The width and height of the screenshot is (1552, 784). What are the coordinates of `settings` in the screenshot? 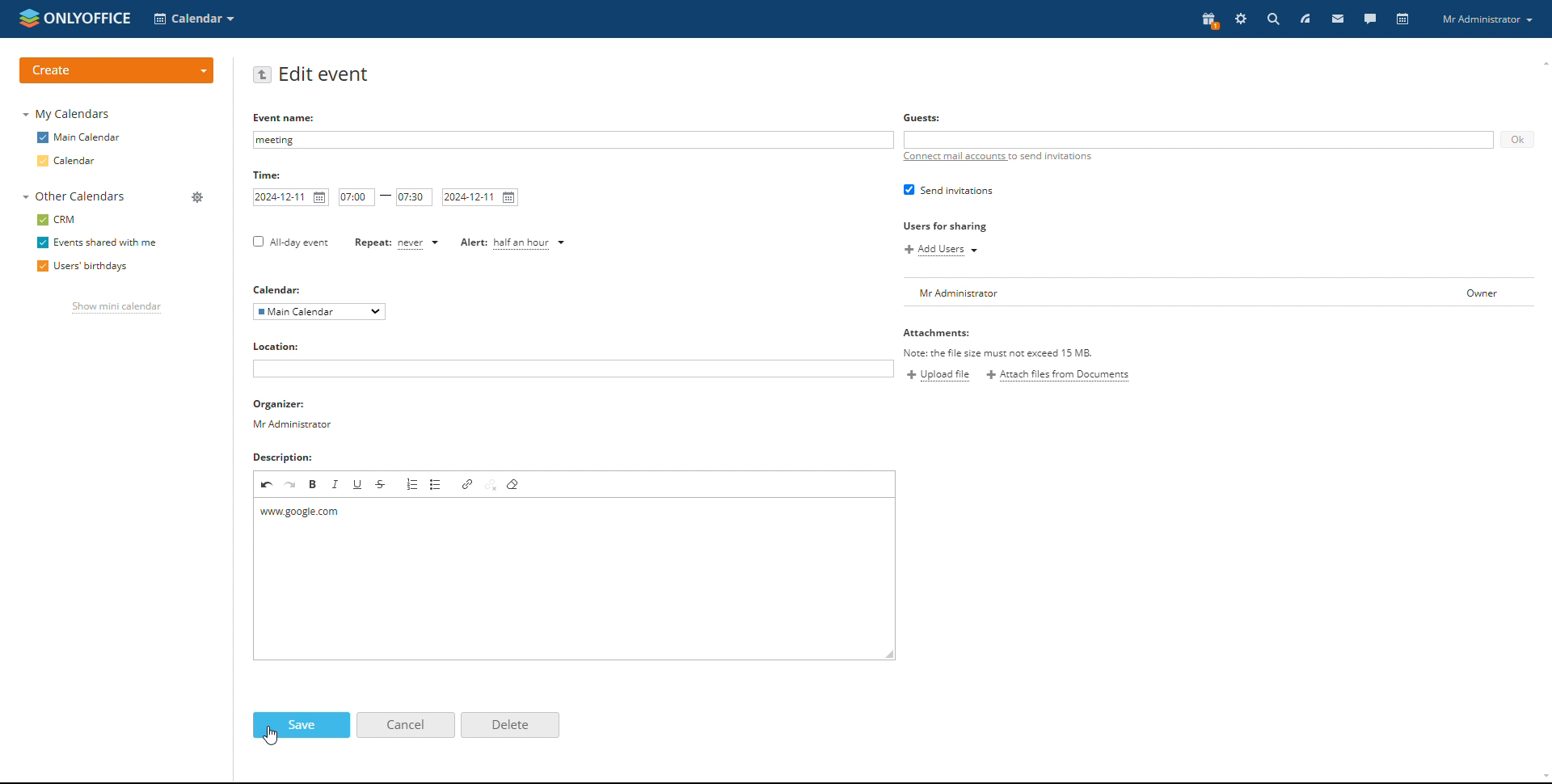 It's located at (1242, 19).